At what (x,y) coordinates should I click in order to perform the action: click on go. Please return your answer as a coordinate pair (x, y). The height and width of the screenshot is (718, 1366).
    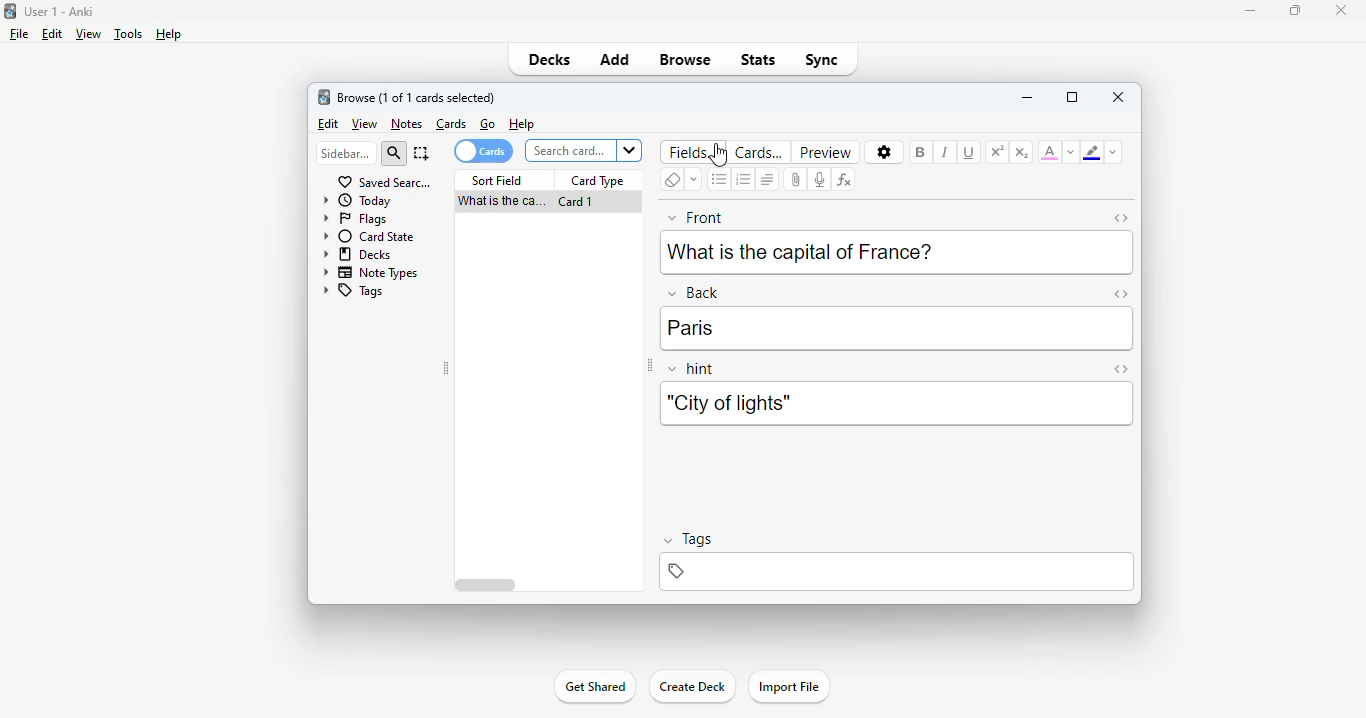
    Looking at the image, I should click on (488, 124).